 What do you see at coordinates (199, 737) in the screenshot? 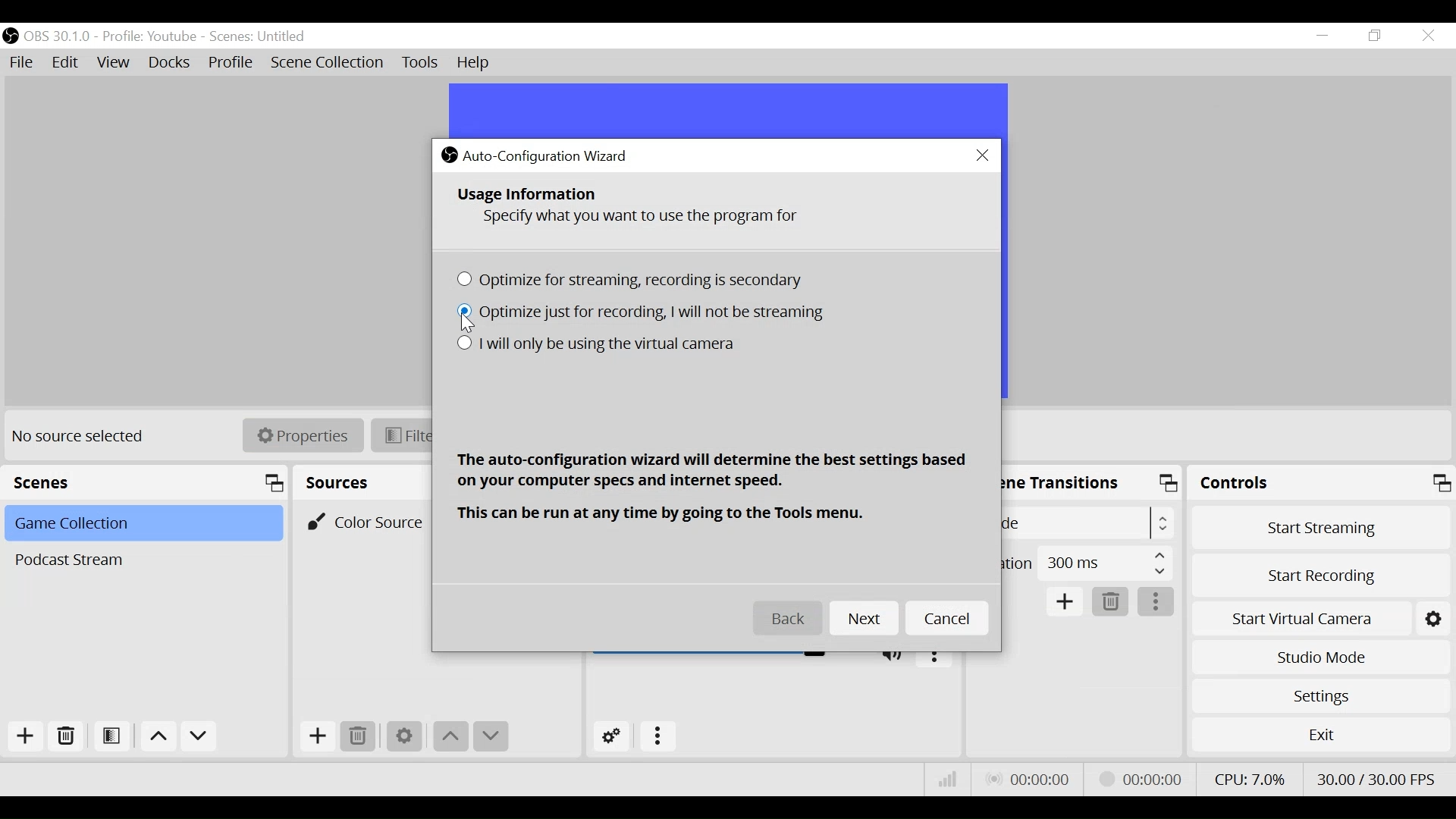
I see `move down` at bounding box center [199, 737].